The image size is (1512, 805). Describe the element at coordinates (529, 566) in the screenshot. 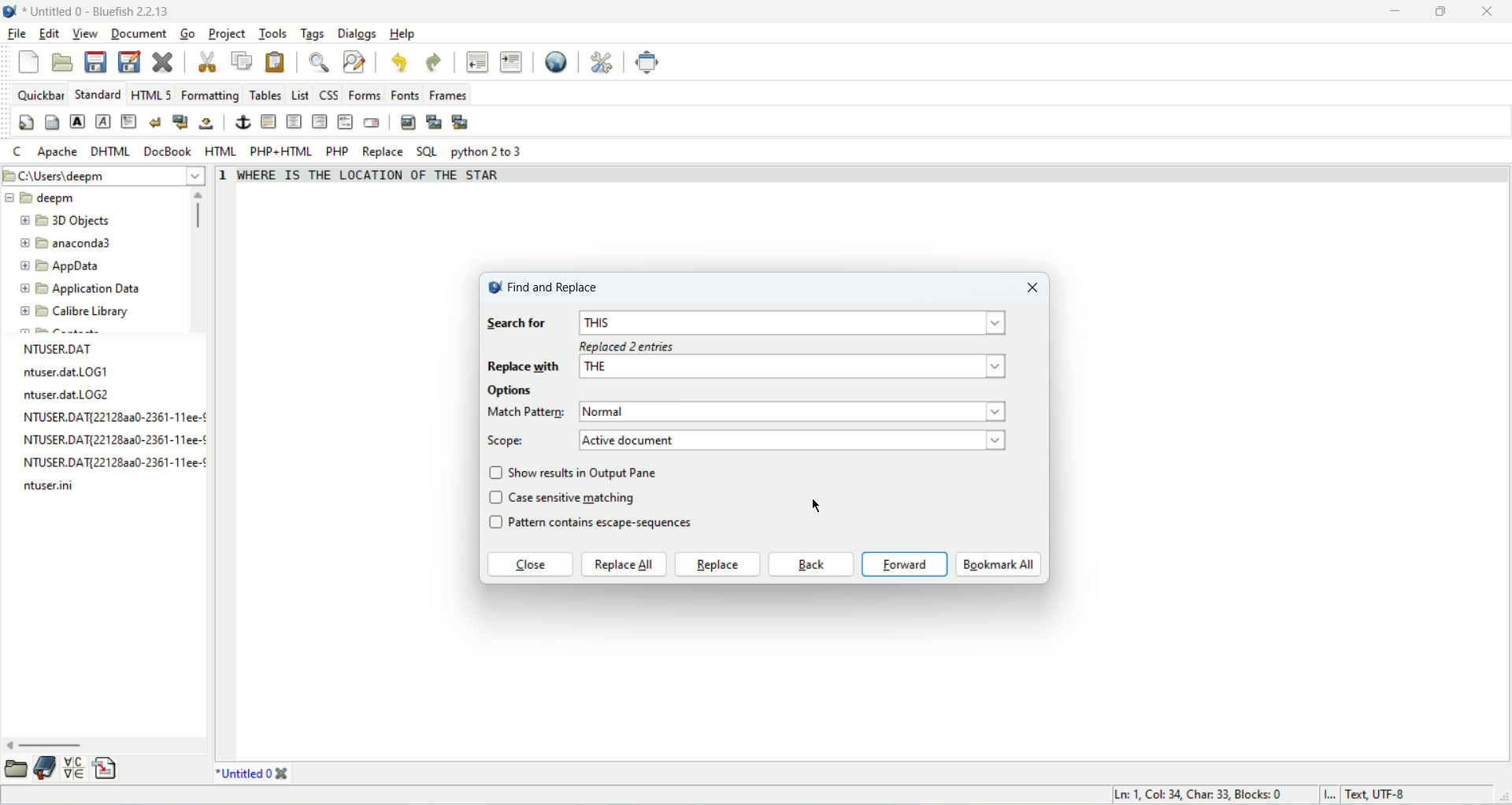

I see `close` at that location.